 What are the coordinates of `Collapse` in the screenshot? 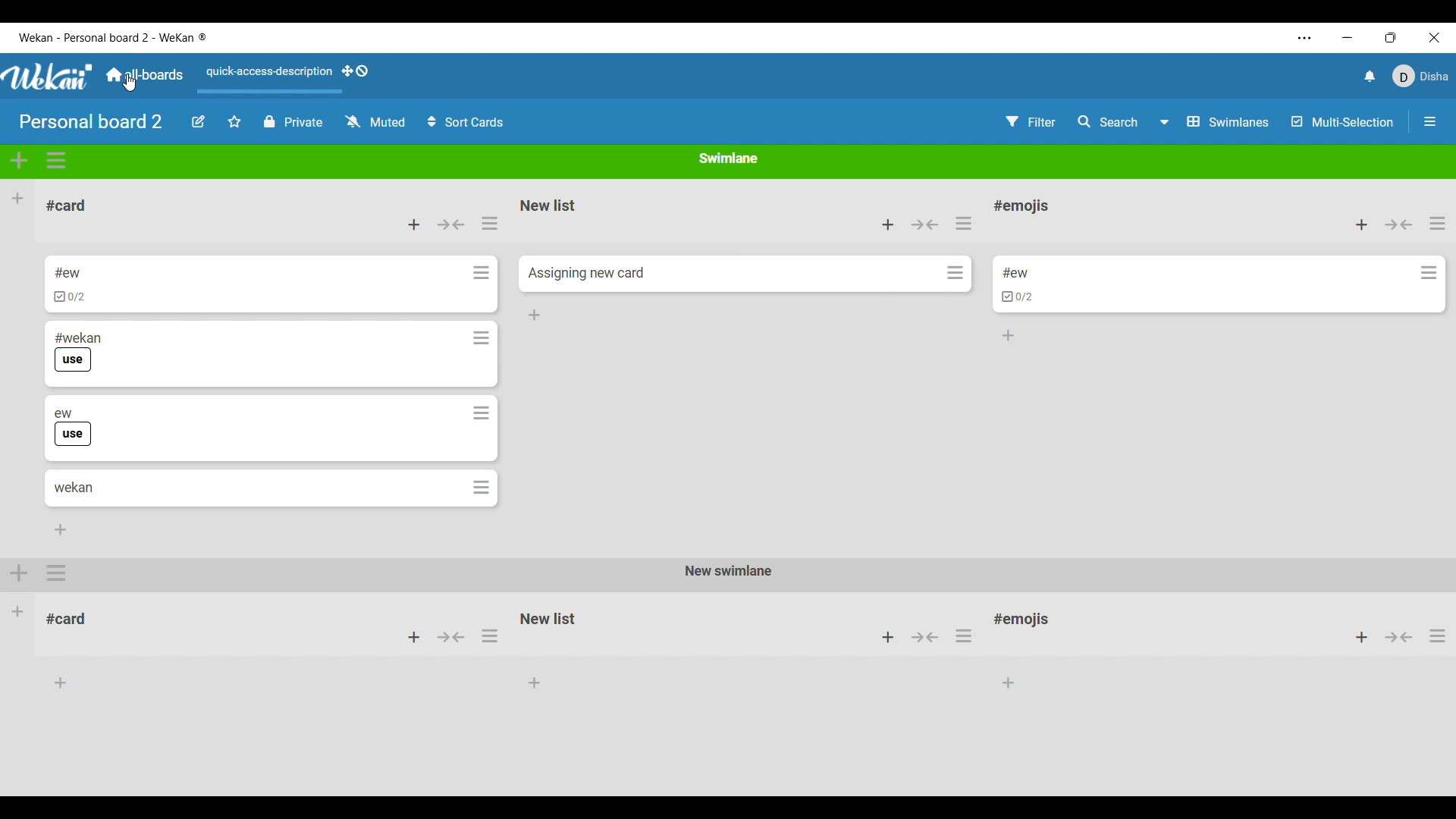 It's located at (1398, 224).